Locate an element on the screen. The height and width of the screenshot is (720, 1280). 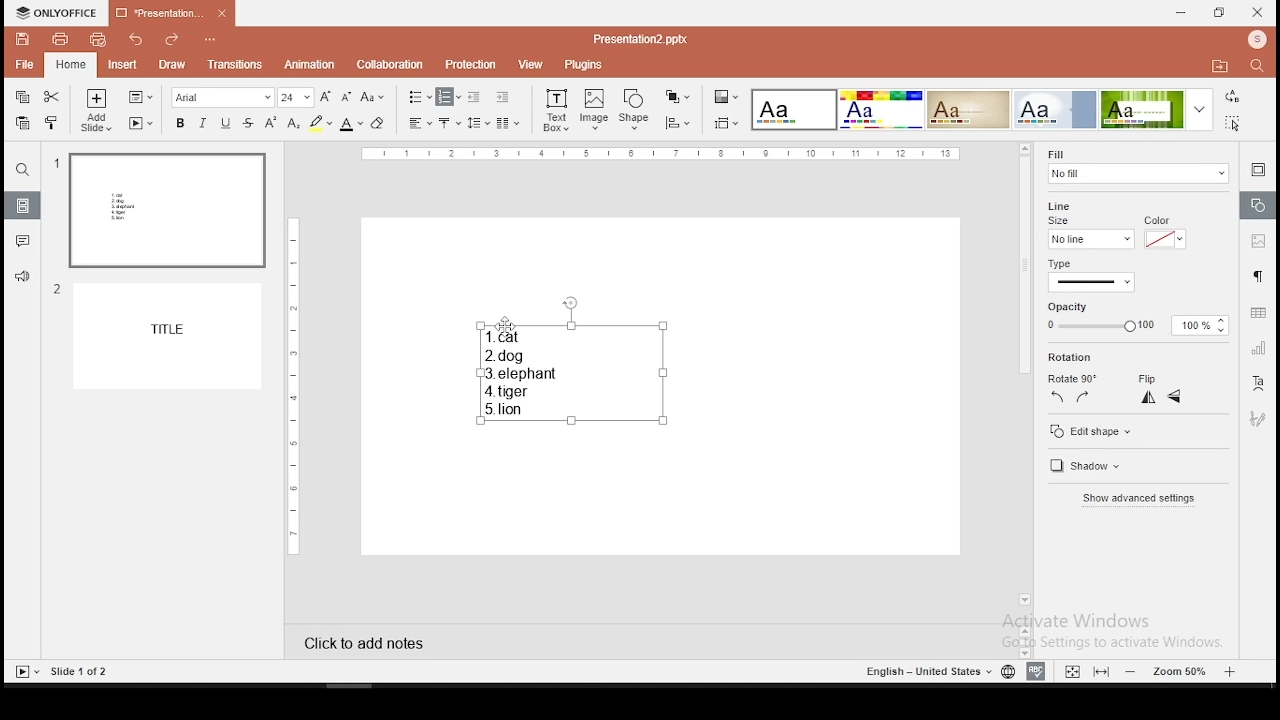
shape settings is located at coordinates (1256, 204).